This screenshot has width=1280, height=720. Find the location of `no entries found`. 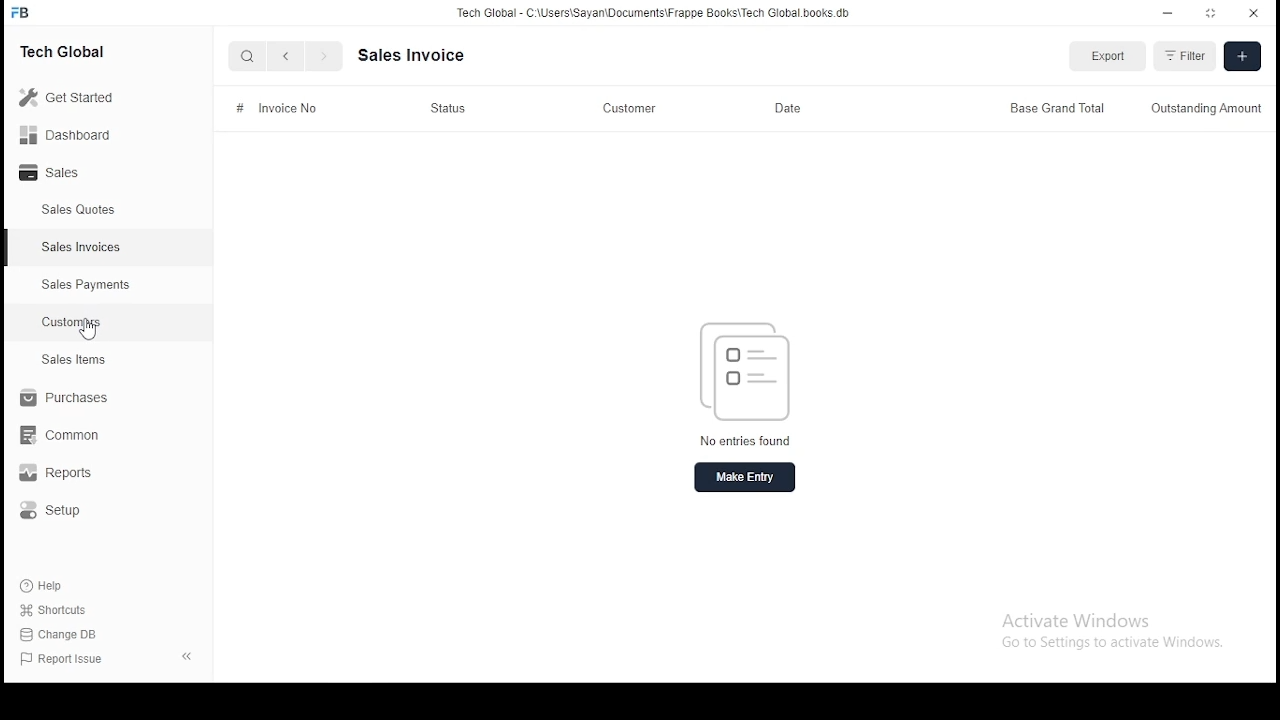

no entries found is located at coordinates (748, 441).